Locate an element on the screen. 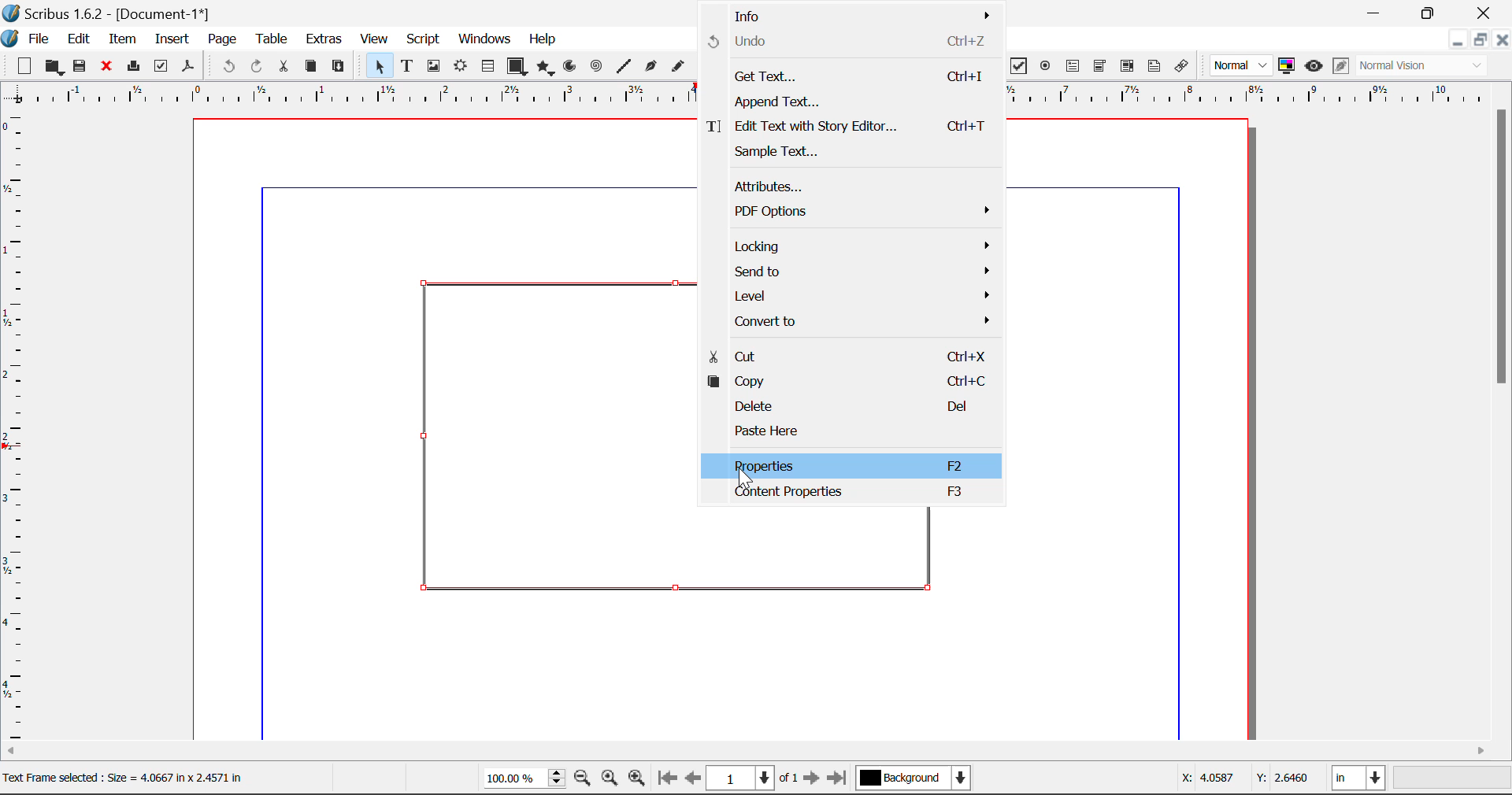  File is located at coordinates (28, 37).